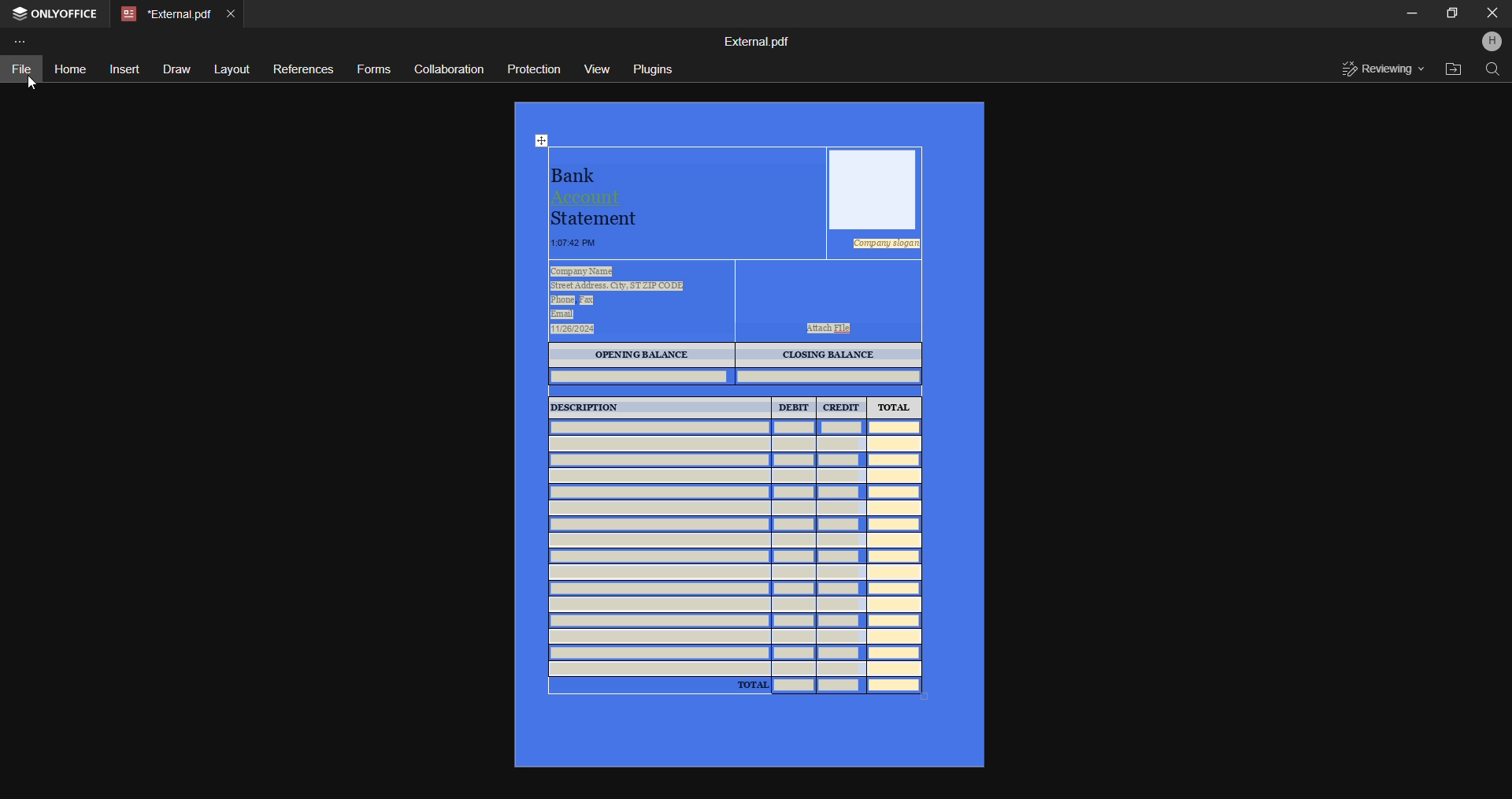  Describe the element at coordinates (595, 68) in the screenshot. I see `View` at that location.